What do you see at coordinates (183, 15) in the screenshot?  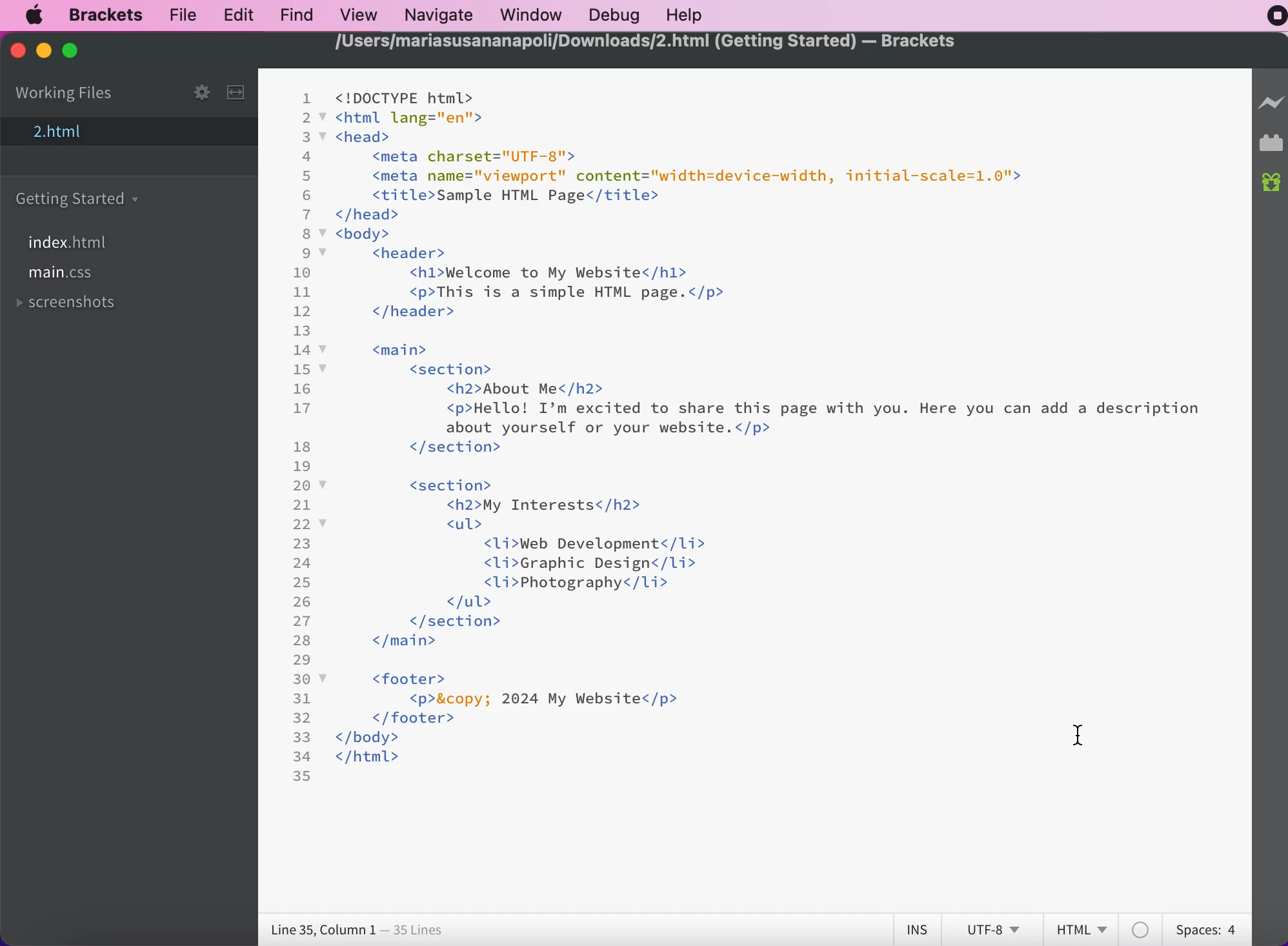 I see `file` at bounding box center [183, 15].